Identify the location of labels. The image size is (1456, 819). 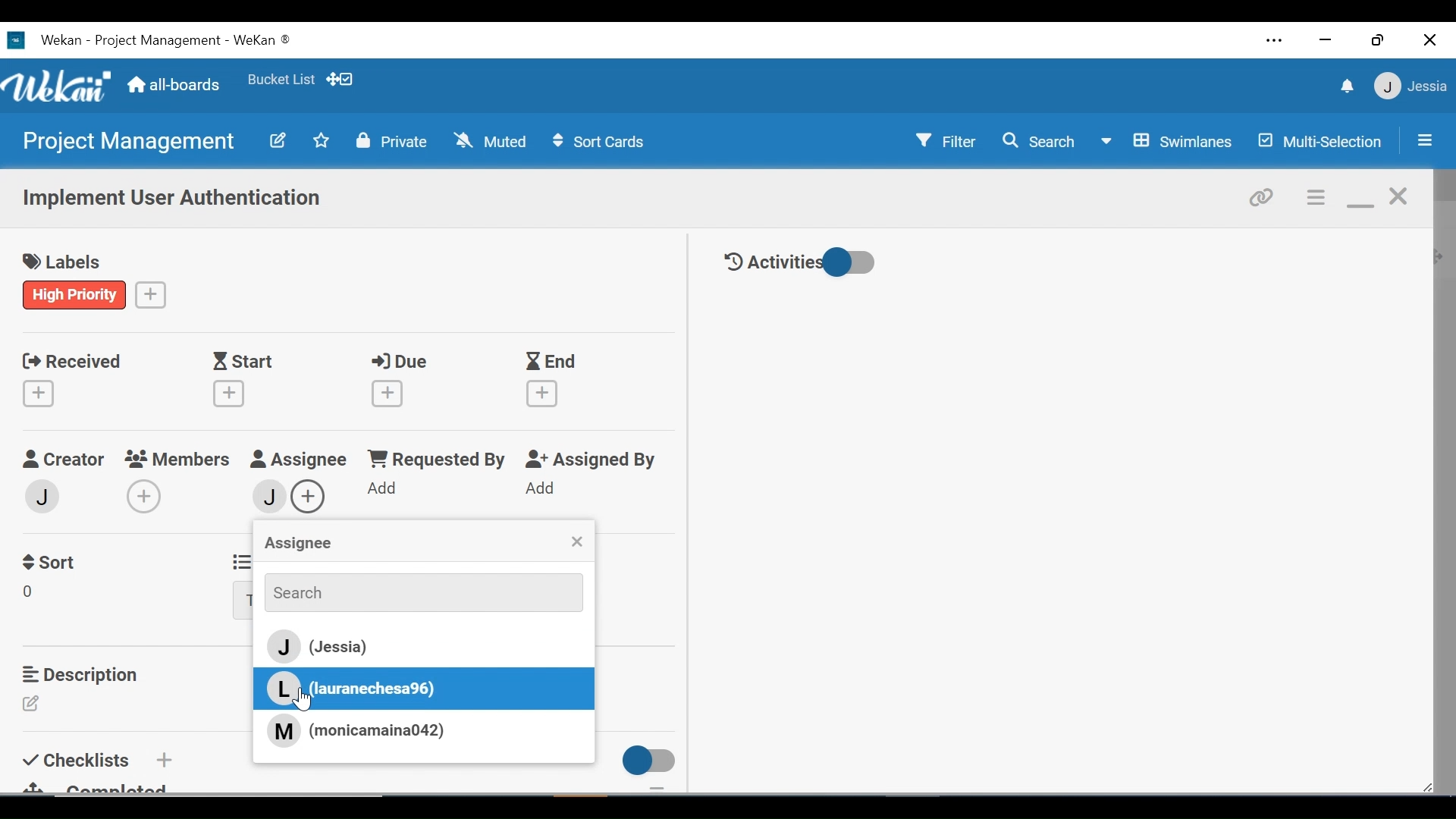
(67, 263).